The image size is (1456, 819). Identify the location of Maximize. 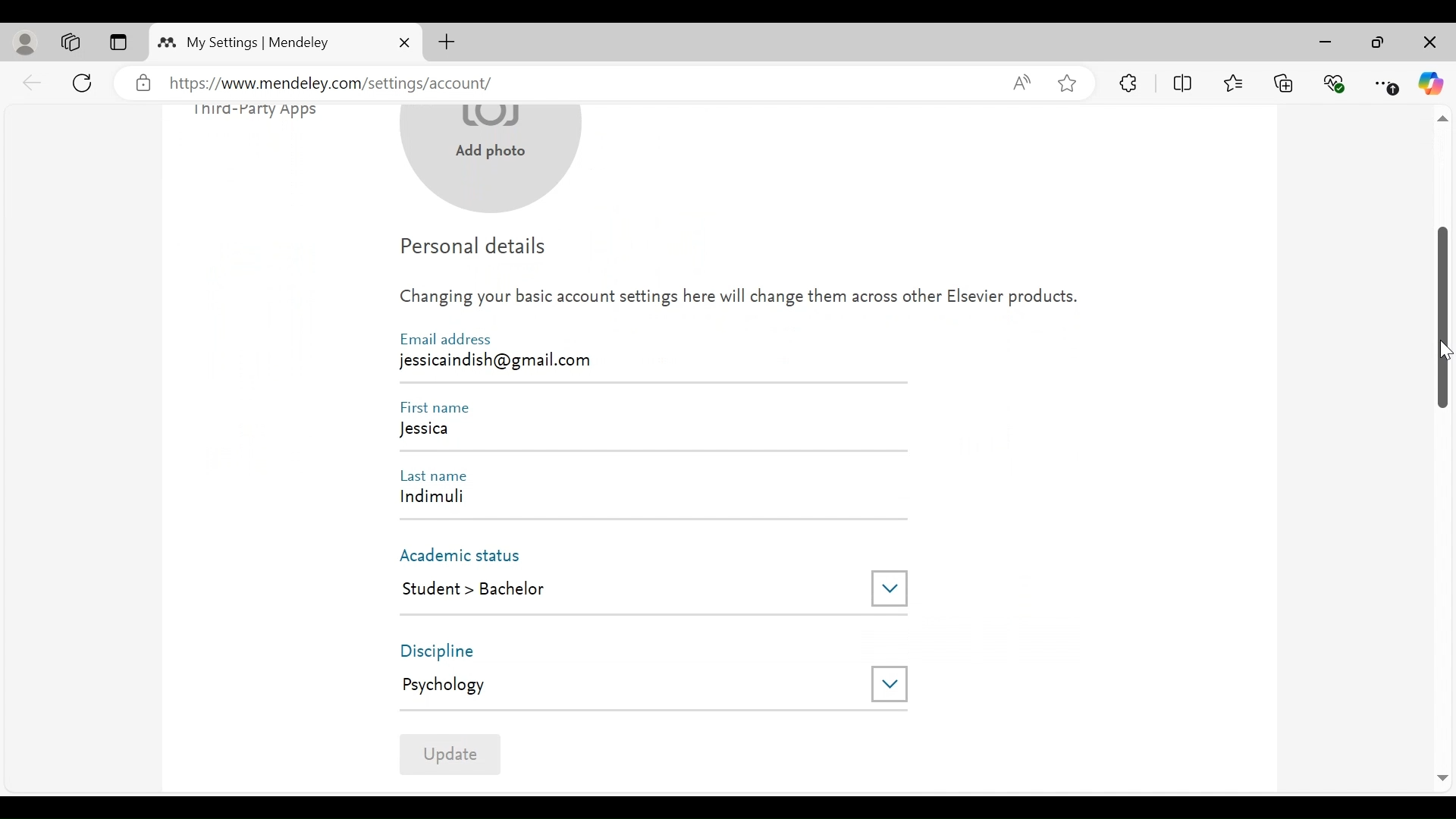
(1378, 44).